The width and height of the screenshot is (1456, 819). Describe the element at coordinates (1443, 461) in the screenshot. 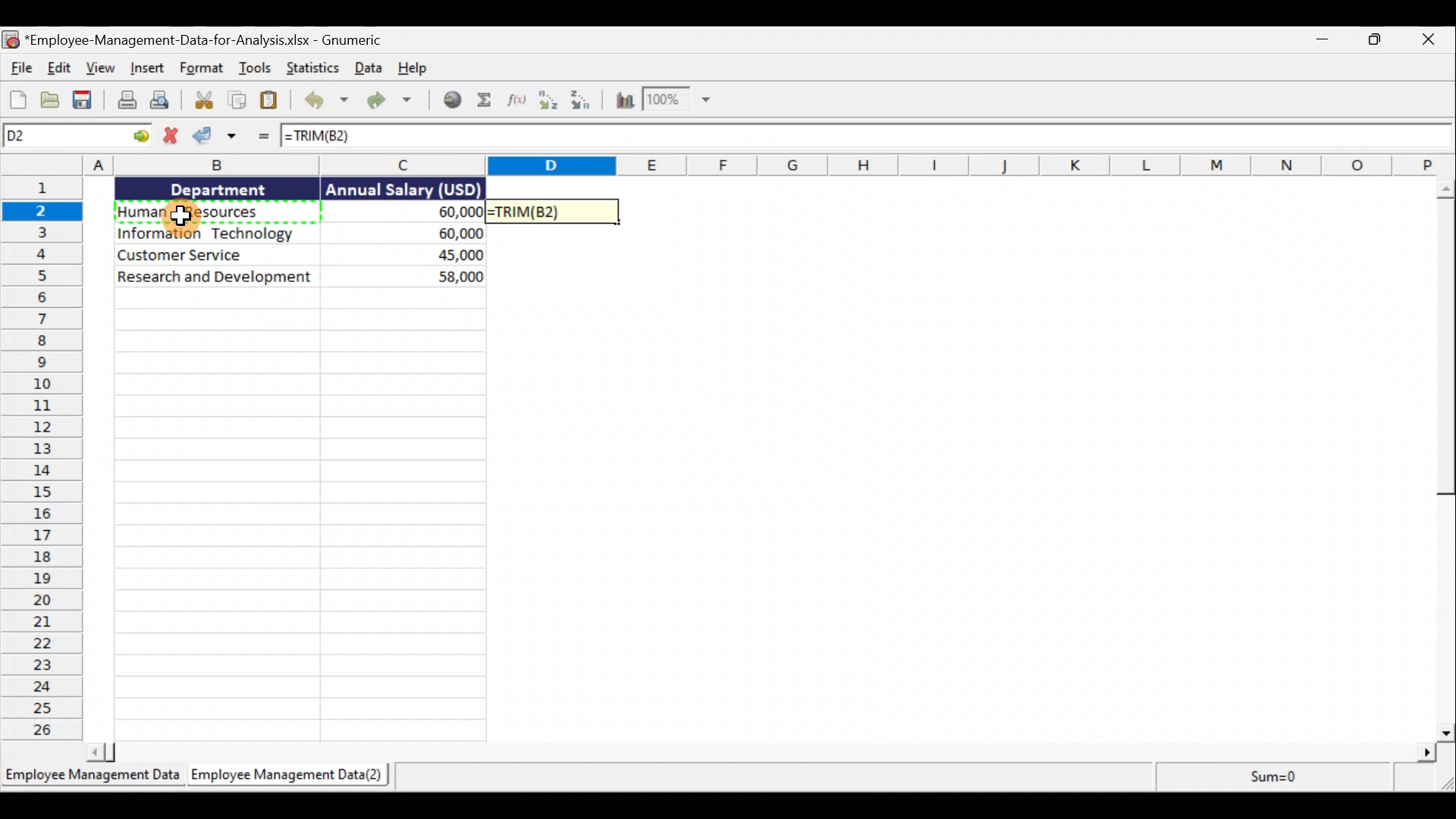

I see `scroll bar` at that location.